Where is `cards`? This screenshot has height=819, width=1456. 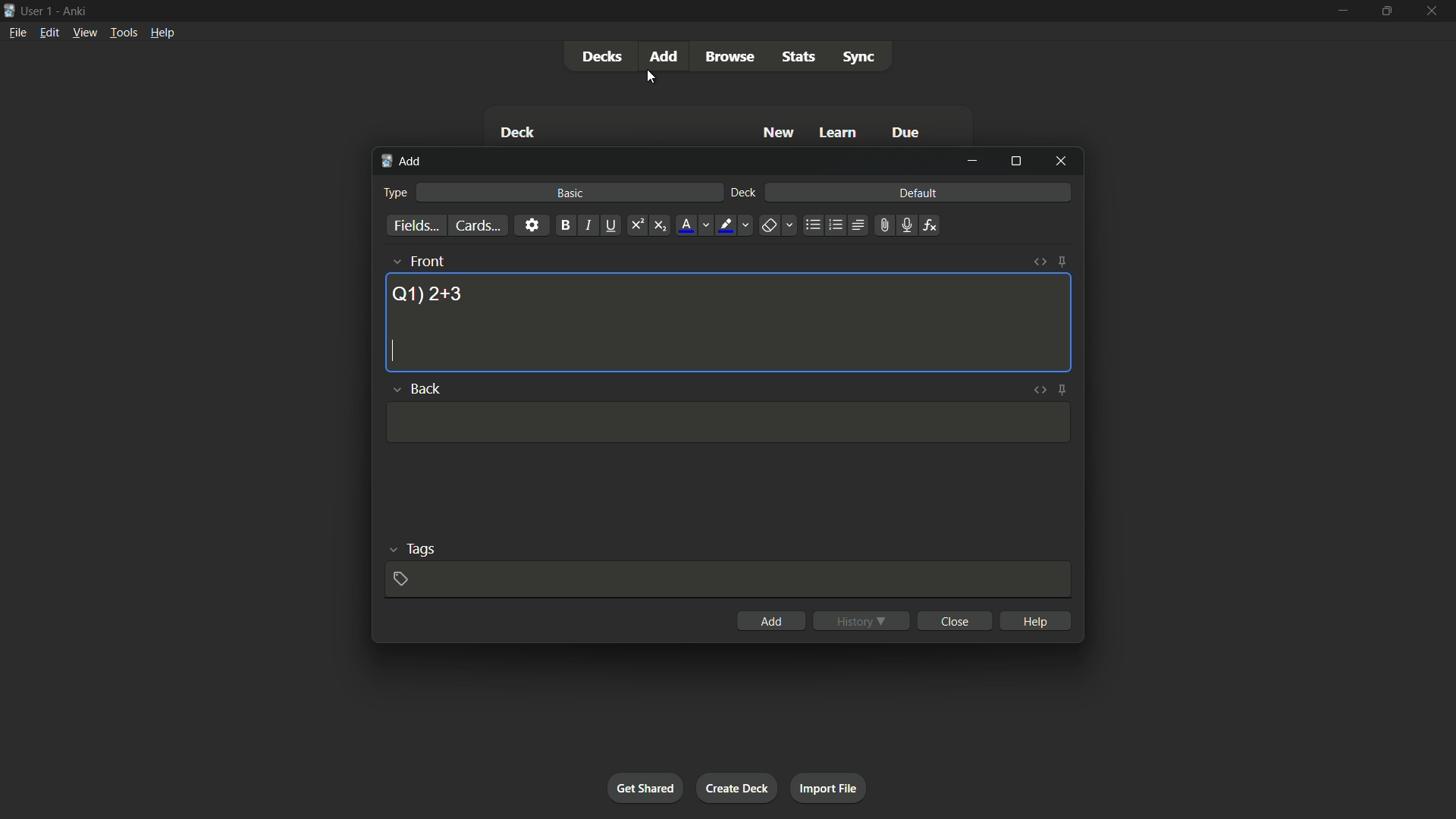
cards is located at coordinates (477, 226).